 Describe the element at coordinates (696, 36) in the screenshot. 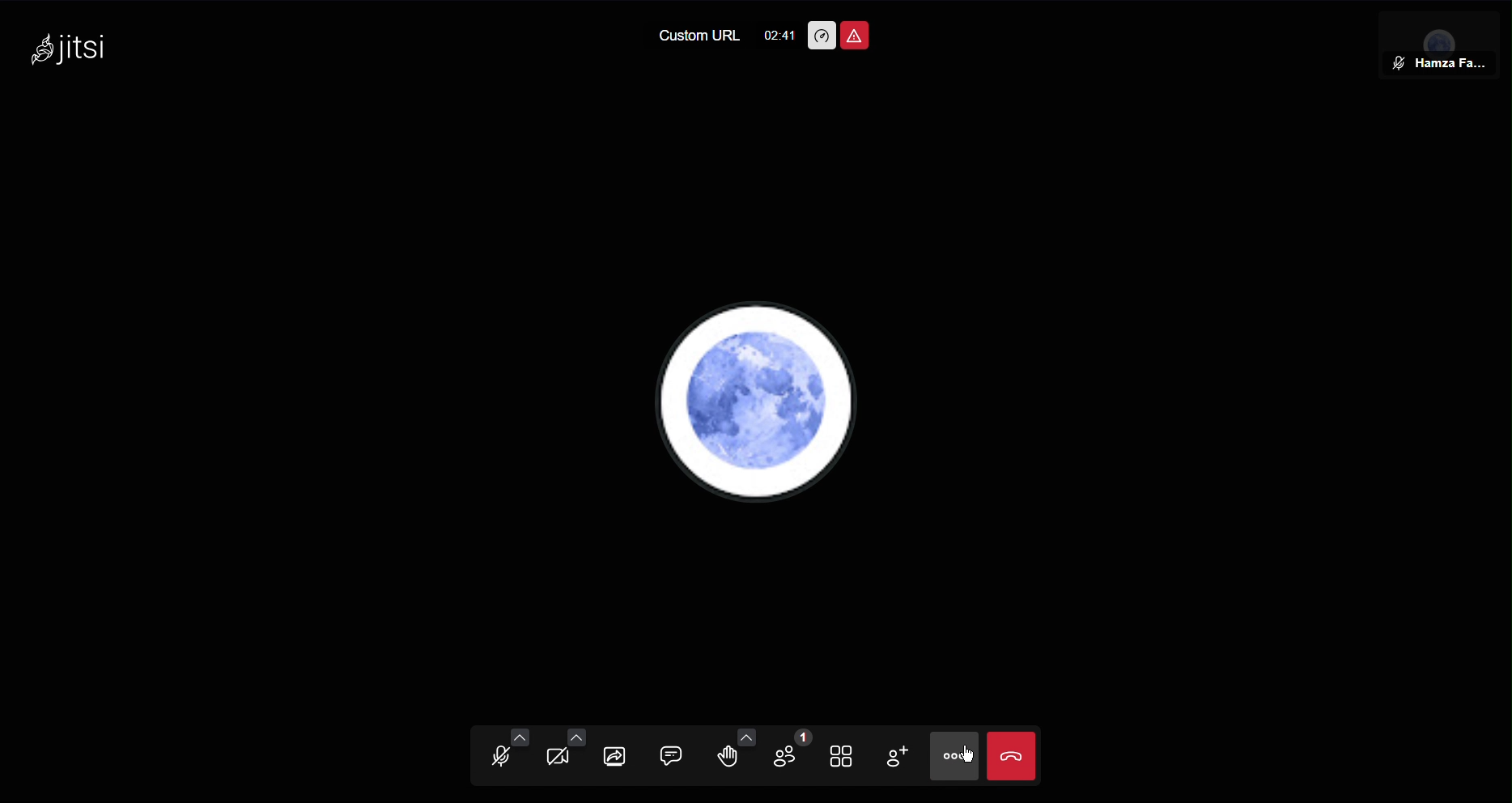

I see `Custom URL` at that location.